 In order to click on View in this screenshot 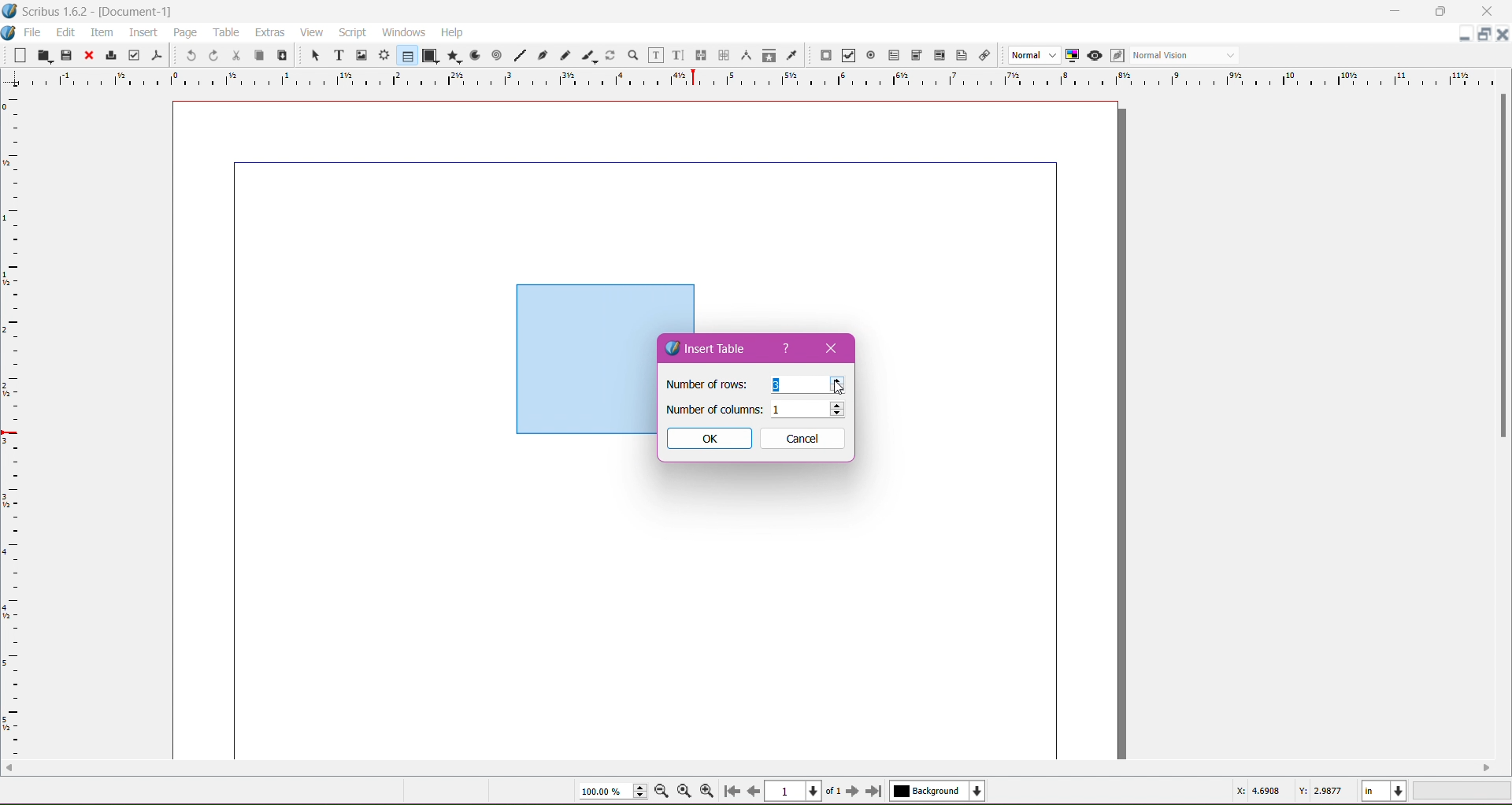, I will do `click(312, 32)`.